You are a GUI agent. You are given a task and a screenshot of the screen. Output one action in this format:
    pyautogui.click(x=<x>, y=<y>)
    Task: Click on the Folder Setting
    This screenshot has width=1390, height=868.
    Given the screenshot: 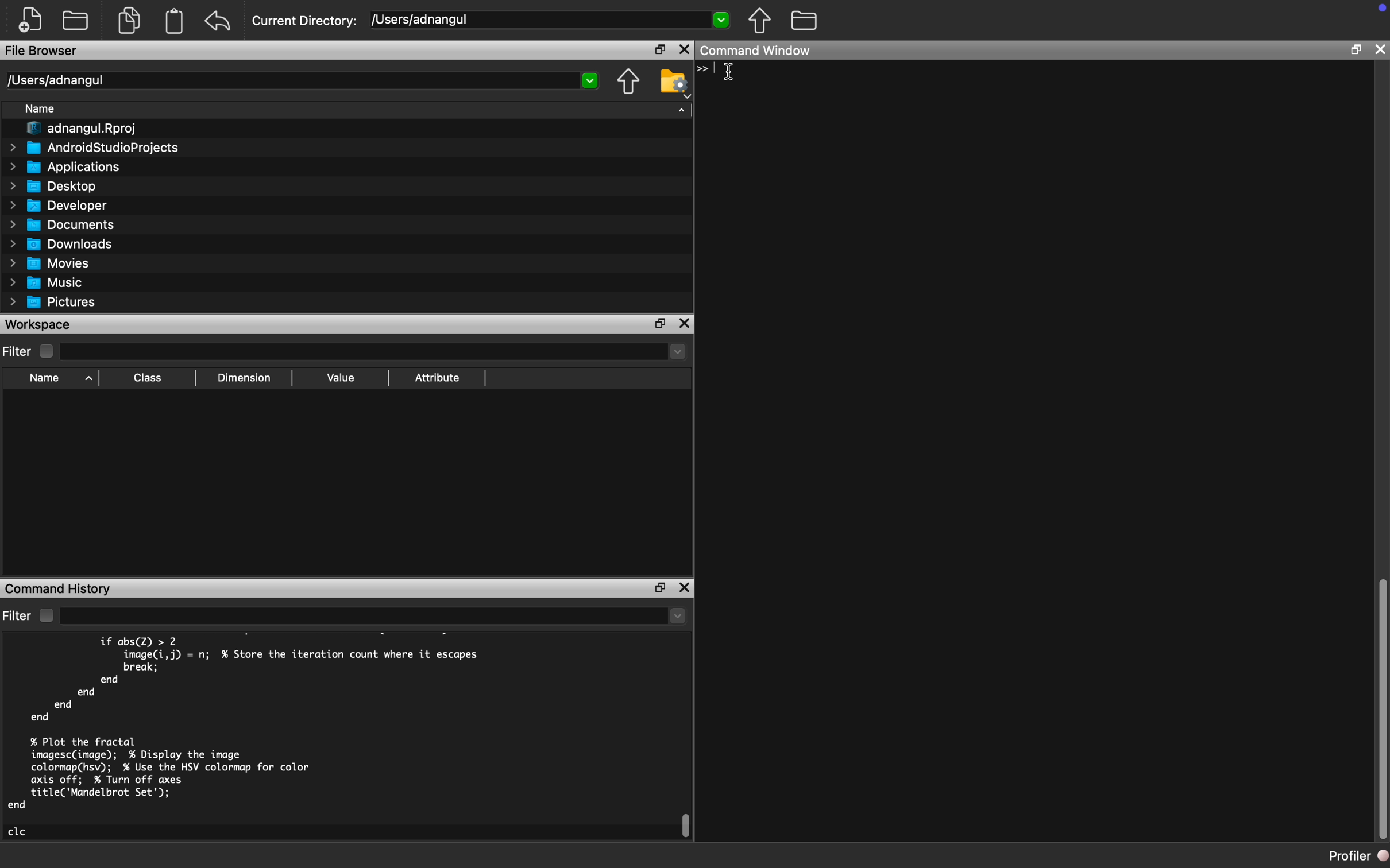 What is the action you would take?
    pyautogui.click(x=672, y=83)
    